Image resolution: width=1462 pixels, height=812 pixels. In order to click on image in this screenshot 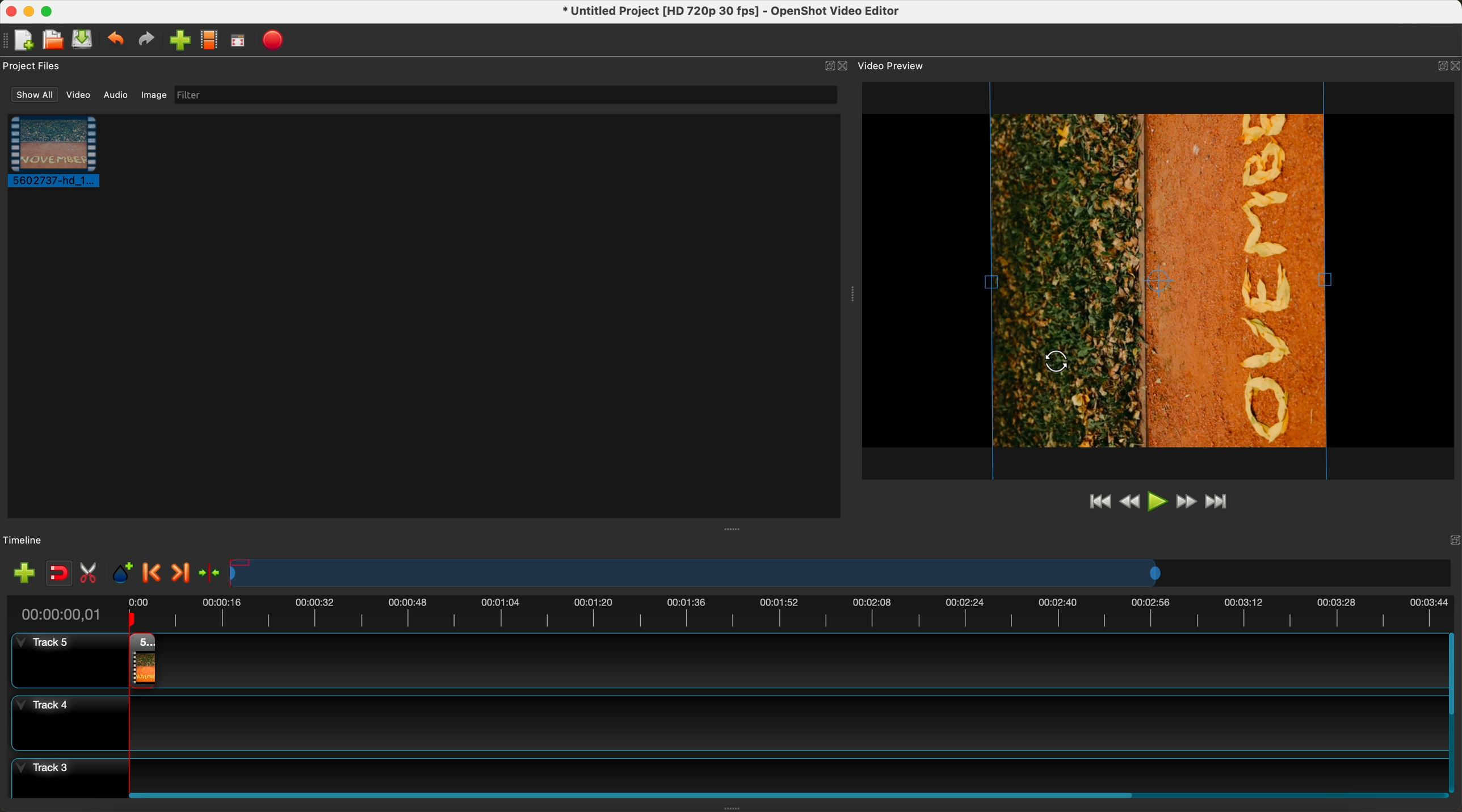, I will do `click(154, 95)`.